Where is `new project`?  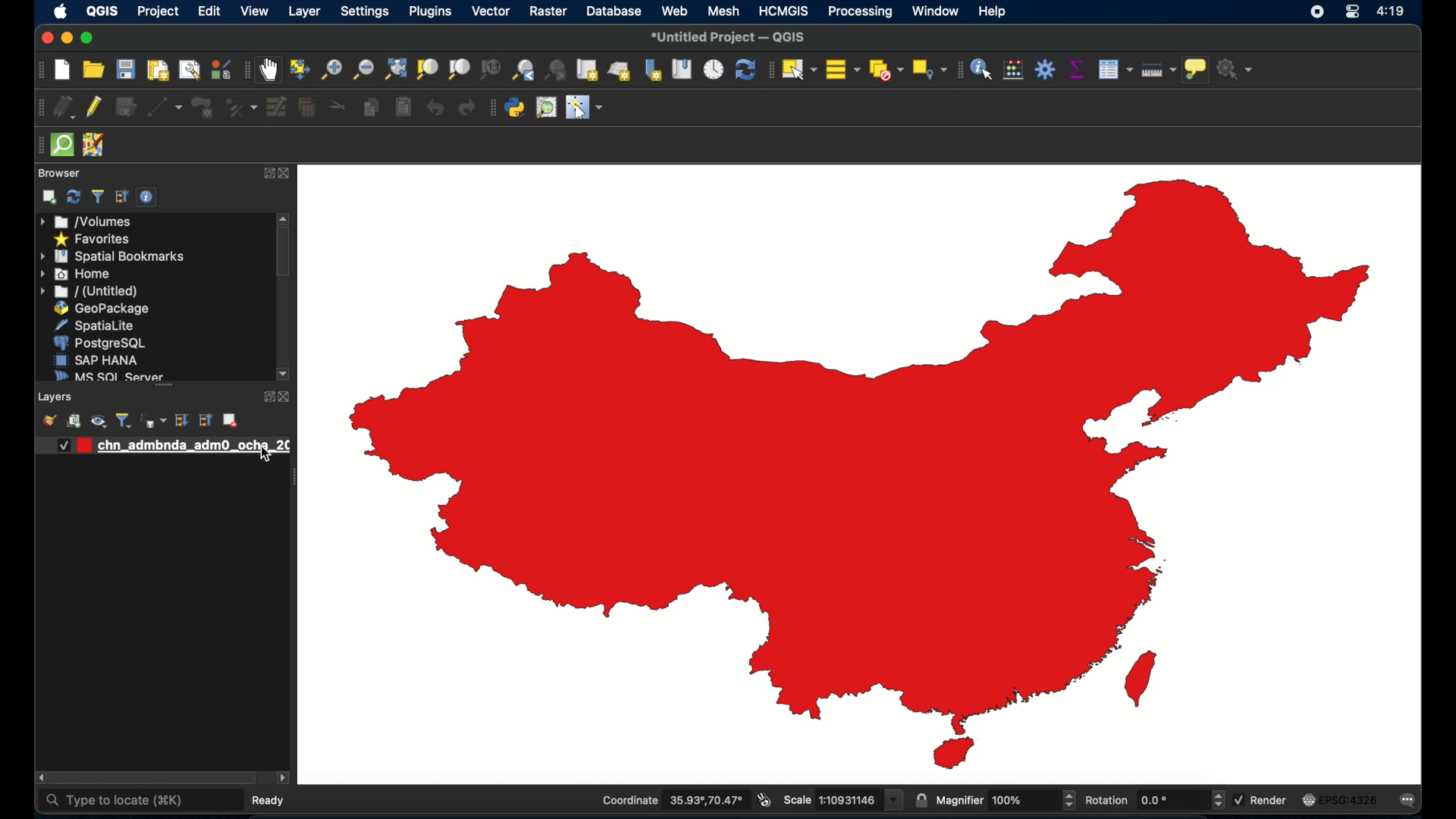
new project is located at coordinates (63, 70).